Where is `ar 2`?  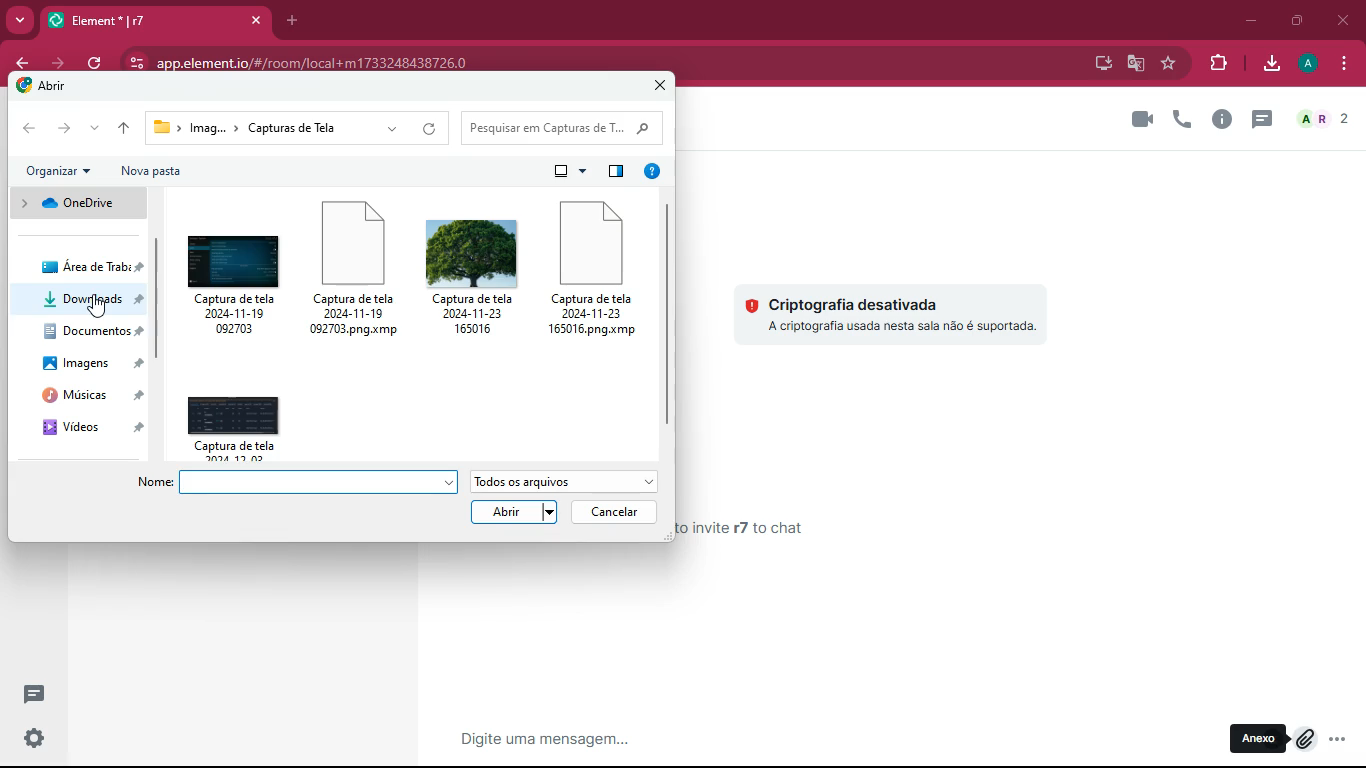
ar 2 is located at coordinates (1322, 120).